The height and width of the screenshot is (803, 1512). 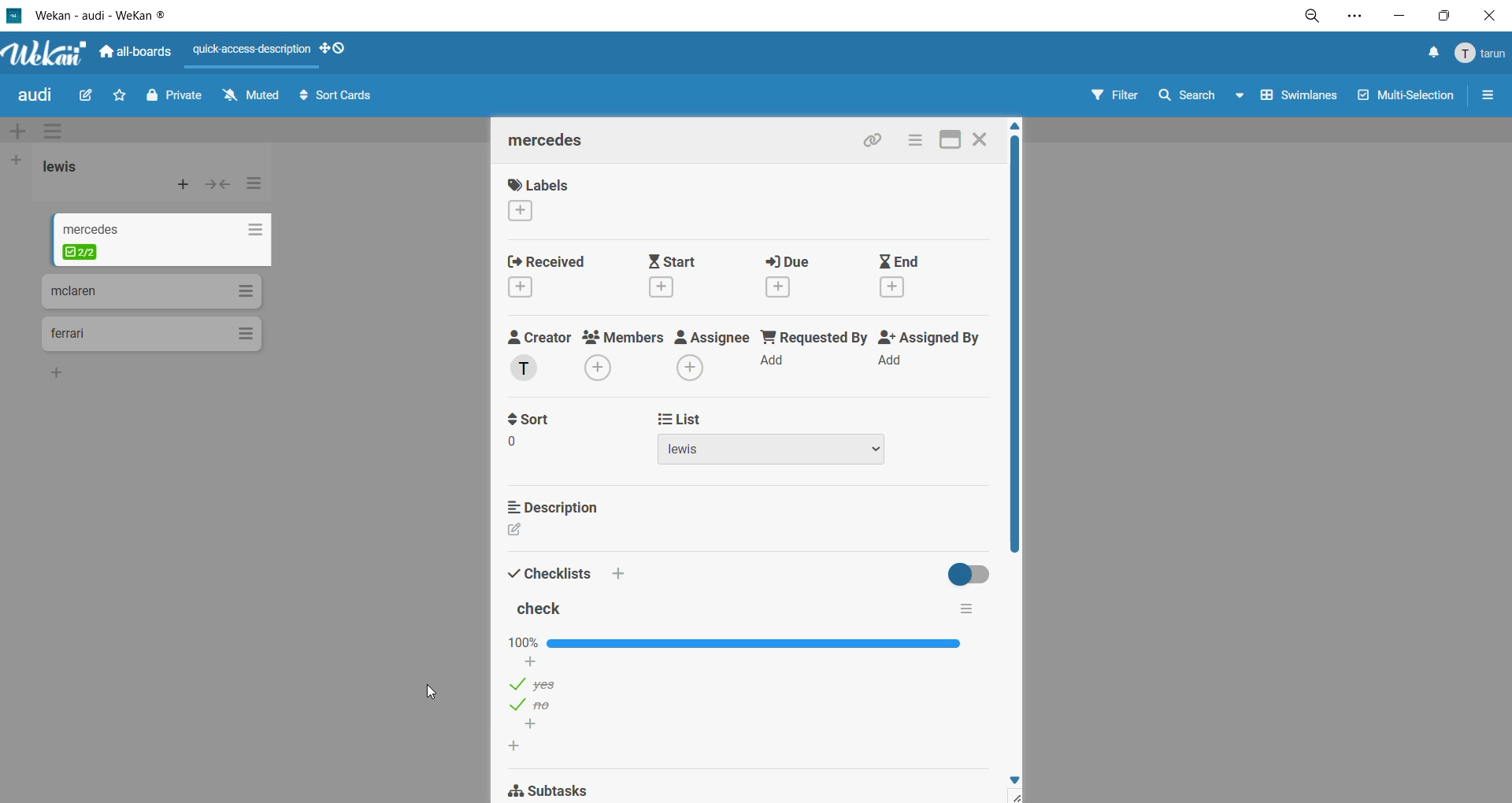 I want to click on members, so click(x=622, y=357).